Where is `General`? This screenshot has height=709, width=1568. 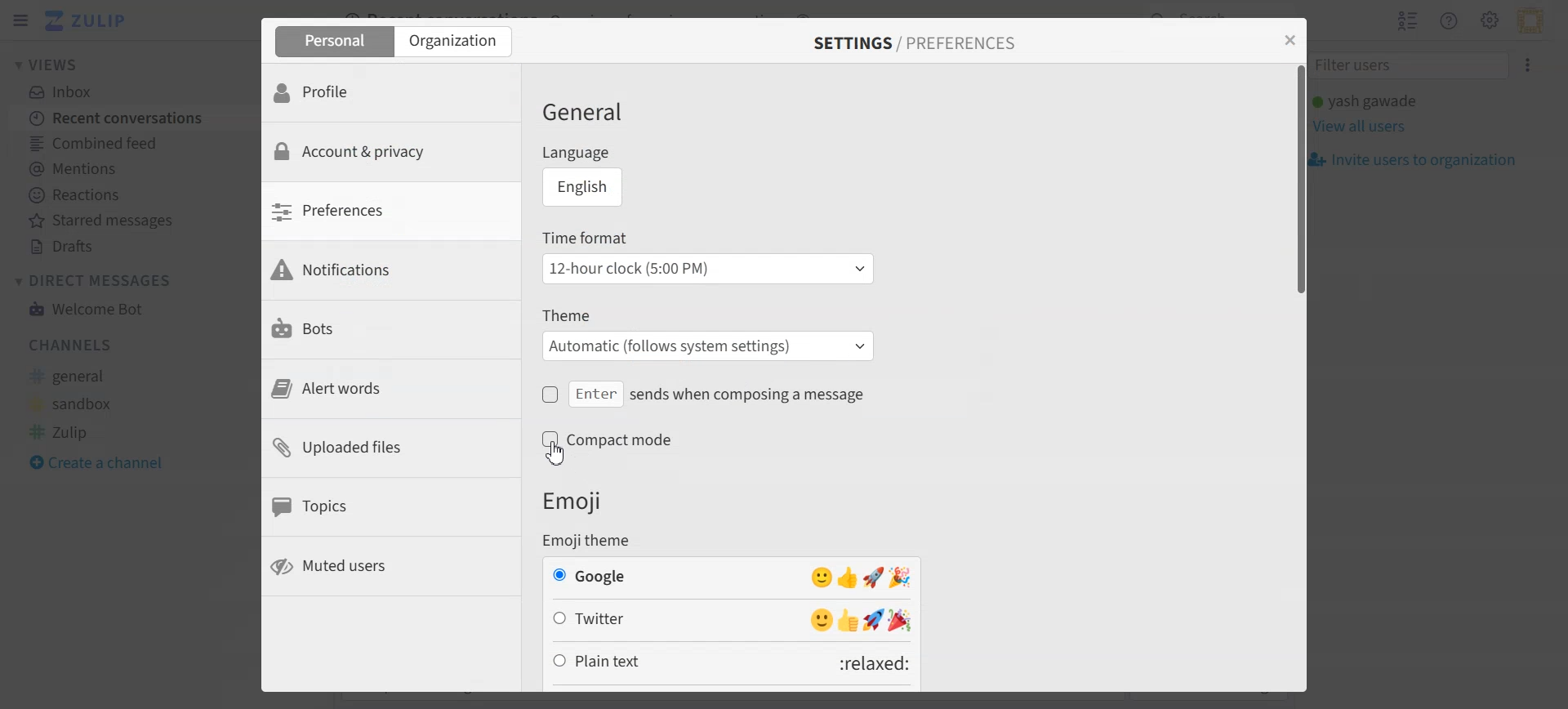 General is located at coordinates (596, 111).